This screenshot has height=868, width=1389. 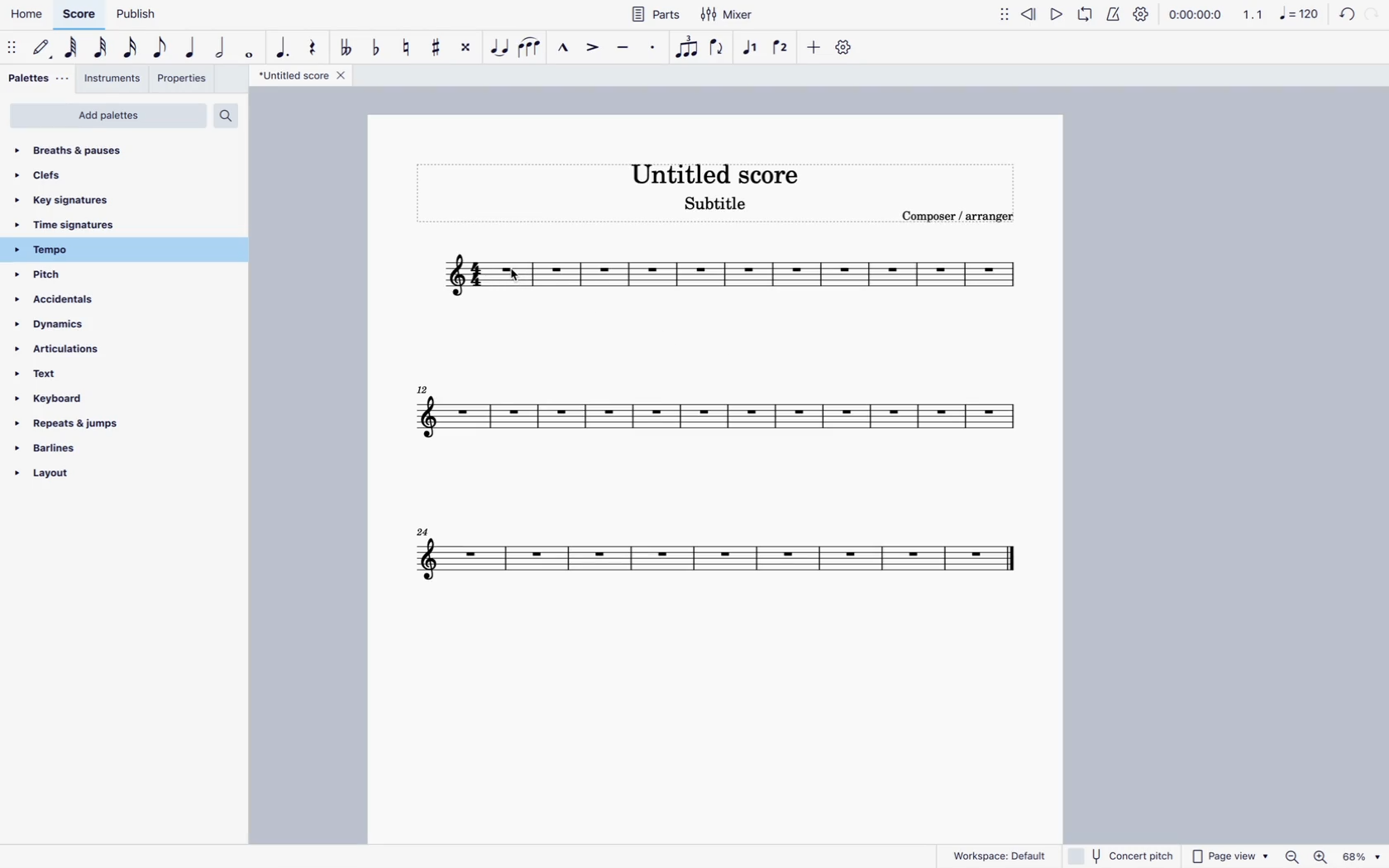 What do you see at coordinates (80, 15) in the screenshot?
I see `score` at bounding box center [80, 15].